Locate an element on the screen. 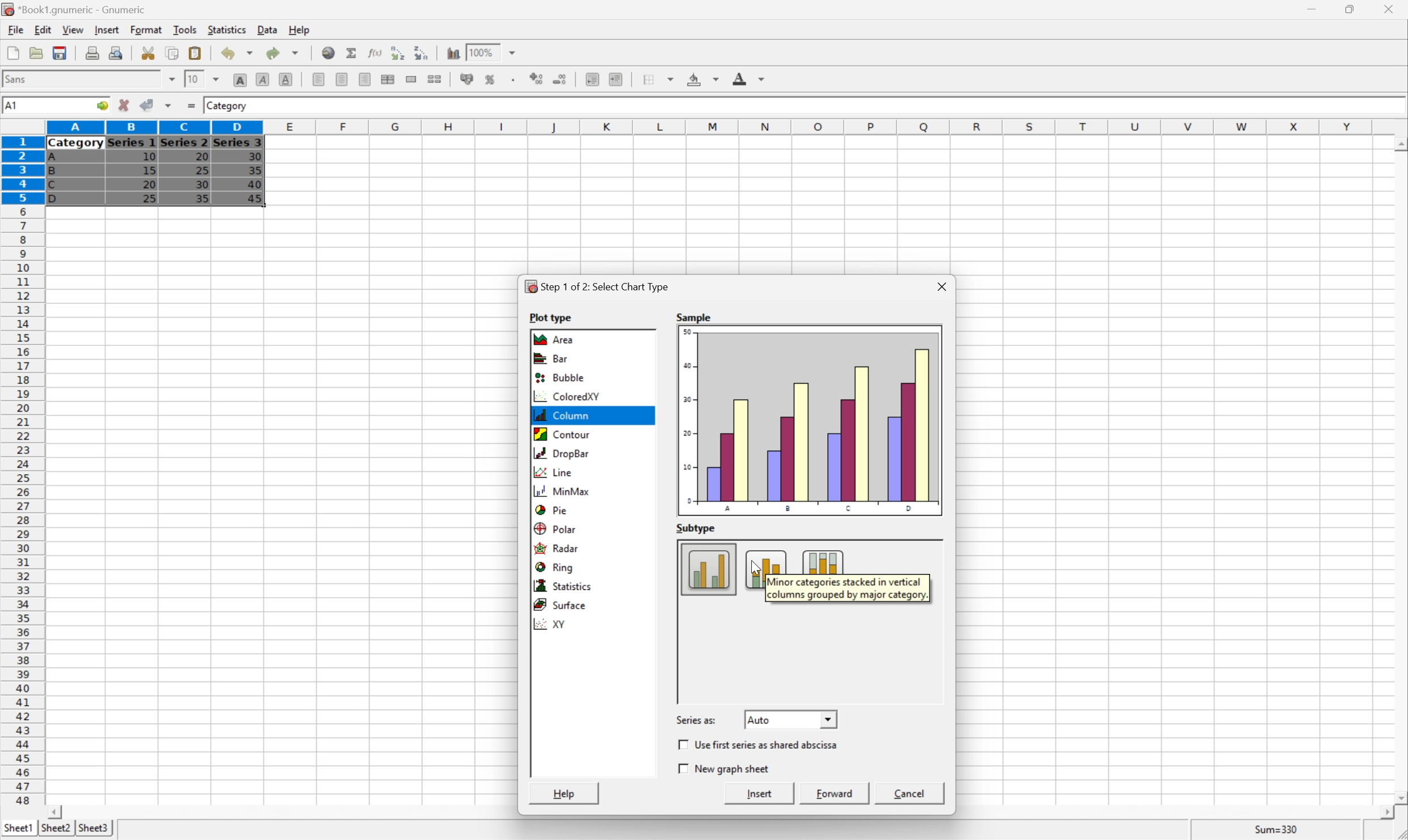 This screenshot has width=1408, height=840. Merge a range of cells is located at coordinates (410, 79).